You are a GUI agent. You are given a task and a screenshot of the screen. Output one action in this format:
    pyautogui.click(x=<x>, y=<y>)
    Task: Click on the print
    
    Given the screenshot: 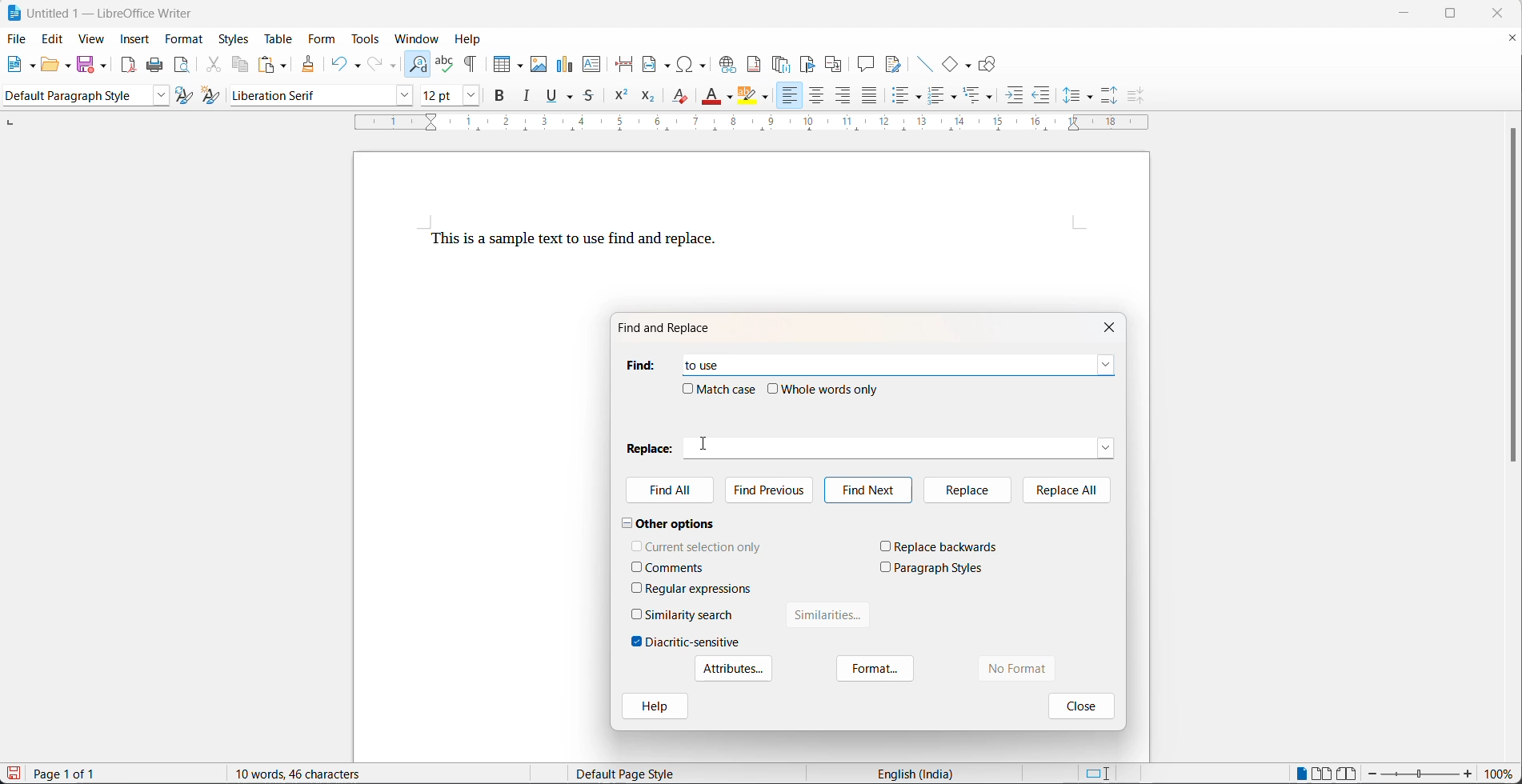 What is the action you would take?
    pyautogui.click(x=158, y=66)
    